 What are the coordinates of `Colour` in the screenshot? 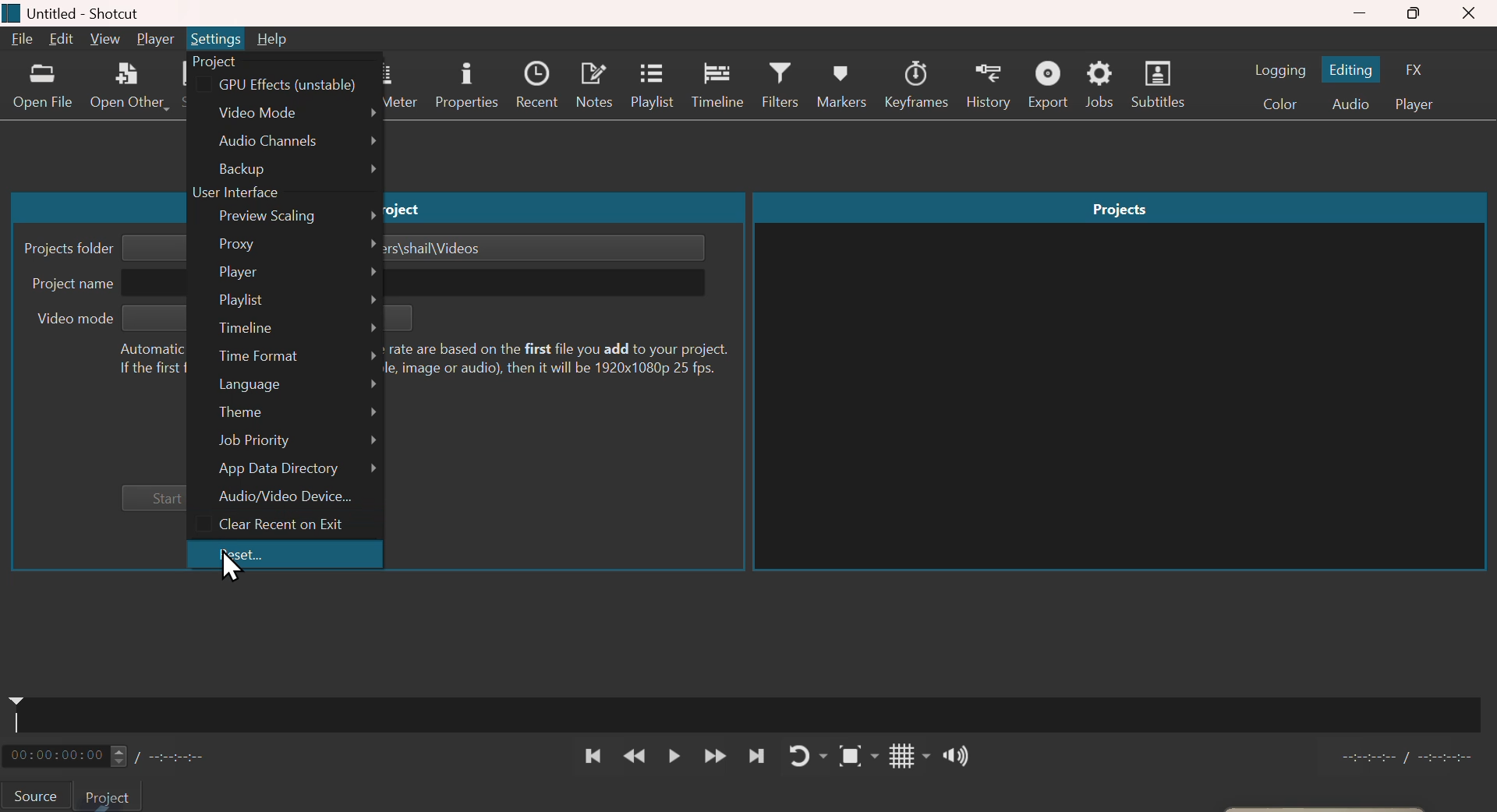 It's located at (1279, 105).